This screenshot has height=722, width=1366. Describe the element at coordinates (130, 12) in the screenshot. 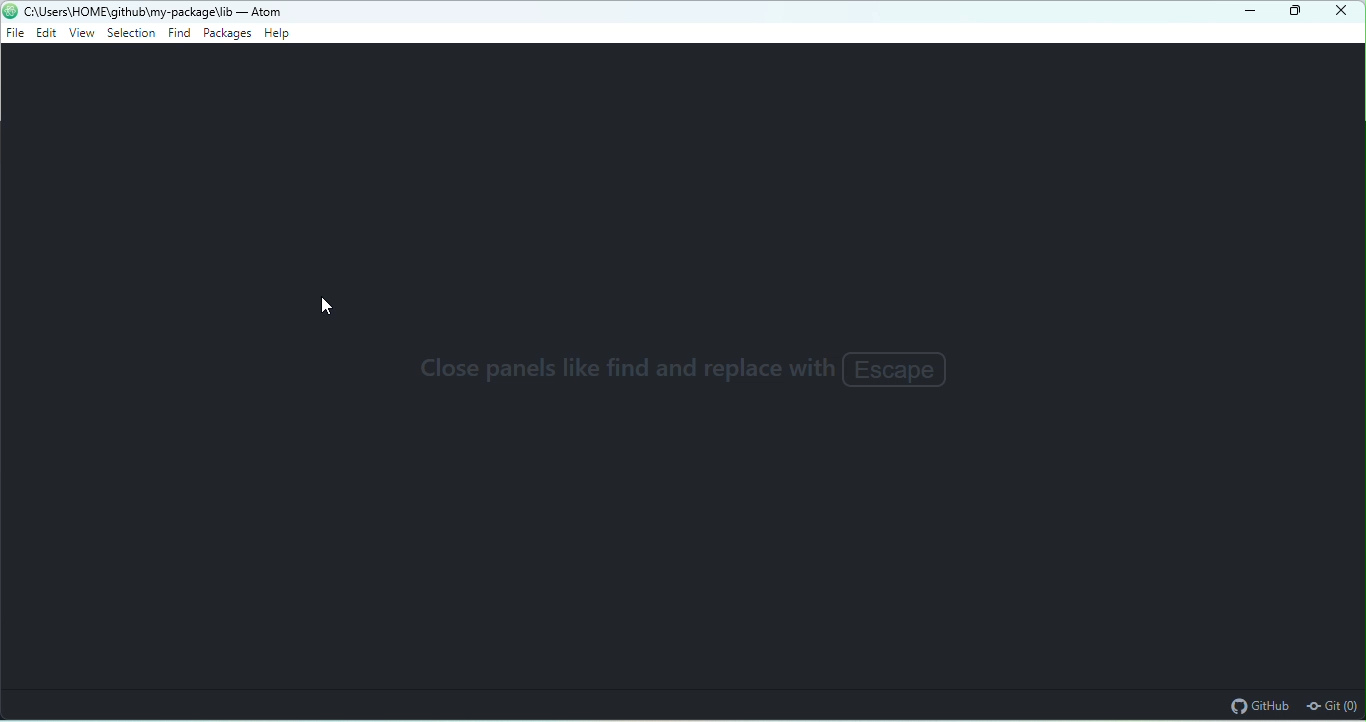

I see `c“\Users\HOME\github\my-package\lib` at that location.